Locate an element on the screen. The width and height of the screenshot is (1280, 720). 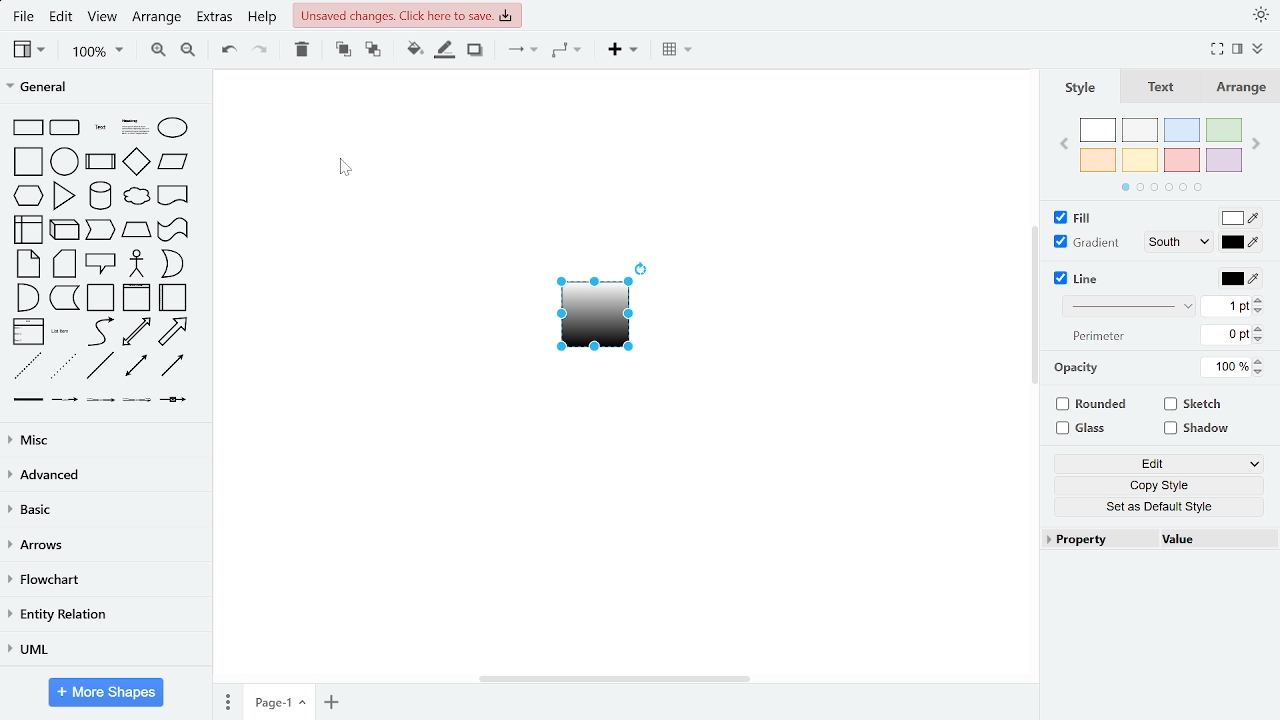
flowchart is located at coordinates (105, 580).